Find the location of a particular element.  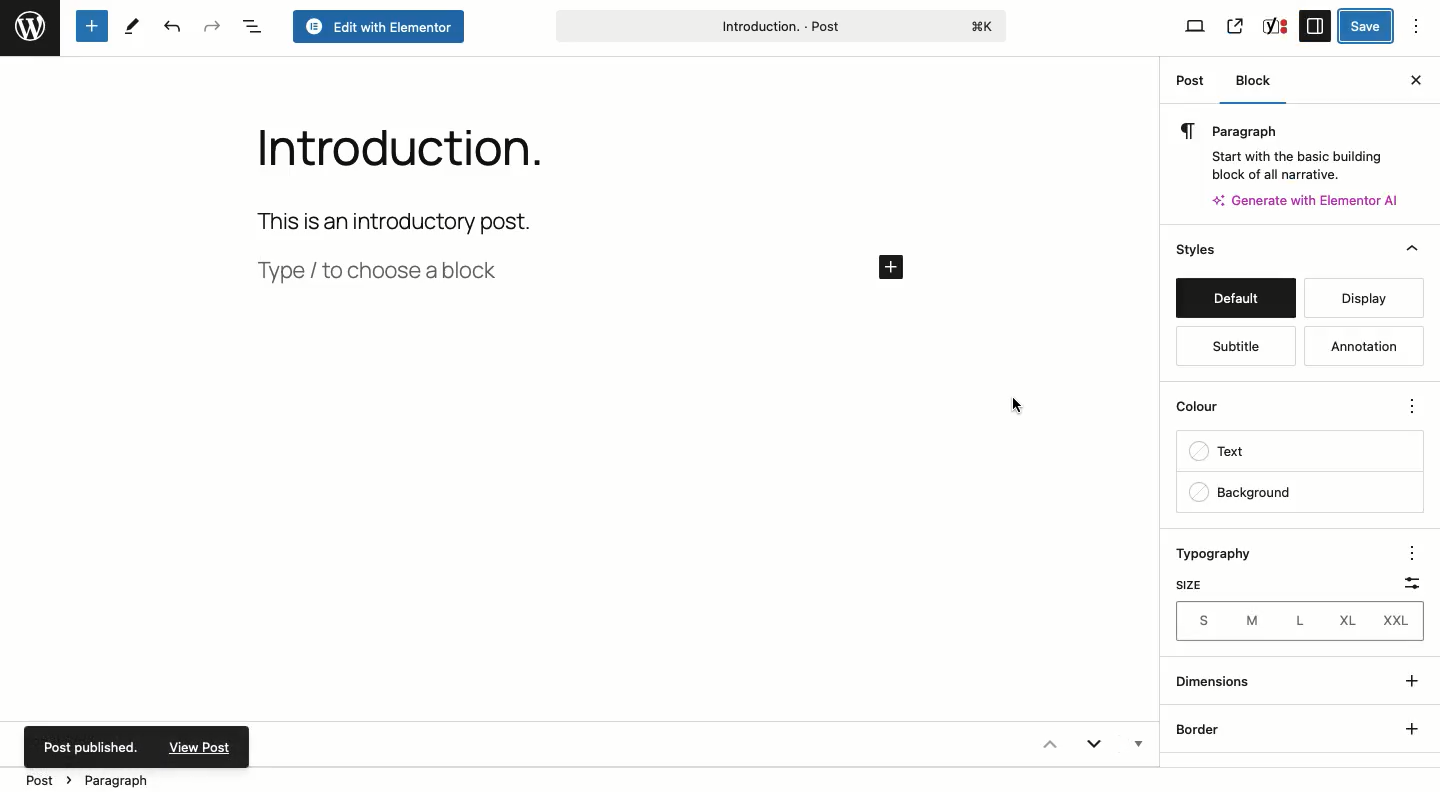

Scale is located at coordinates (1406, 579).